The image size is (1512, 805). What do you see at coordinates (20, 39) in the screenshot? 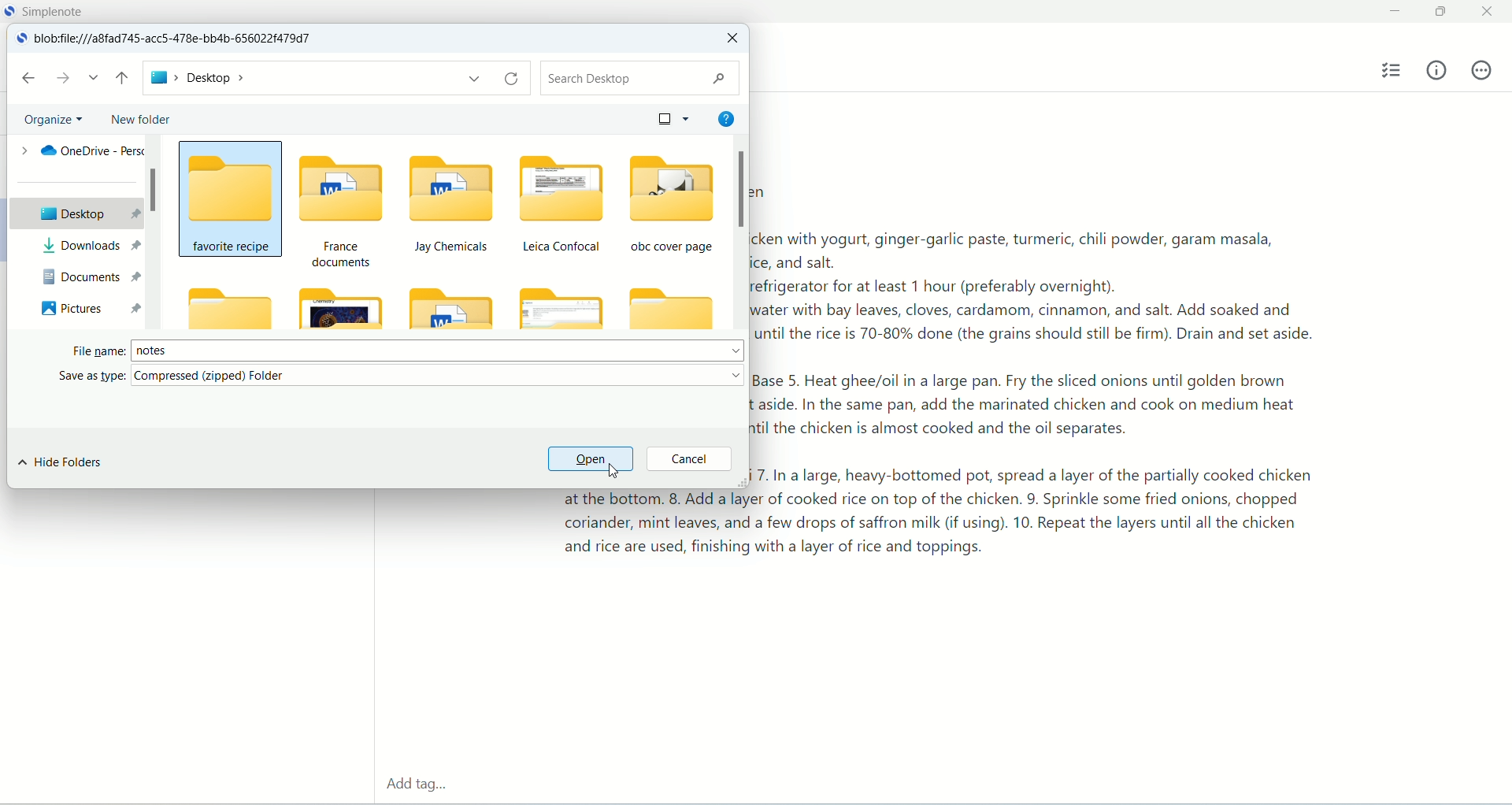
I see `logo` at bounding box center [20, 39].